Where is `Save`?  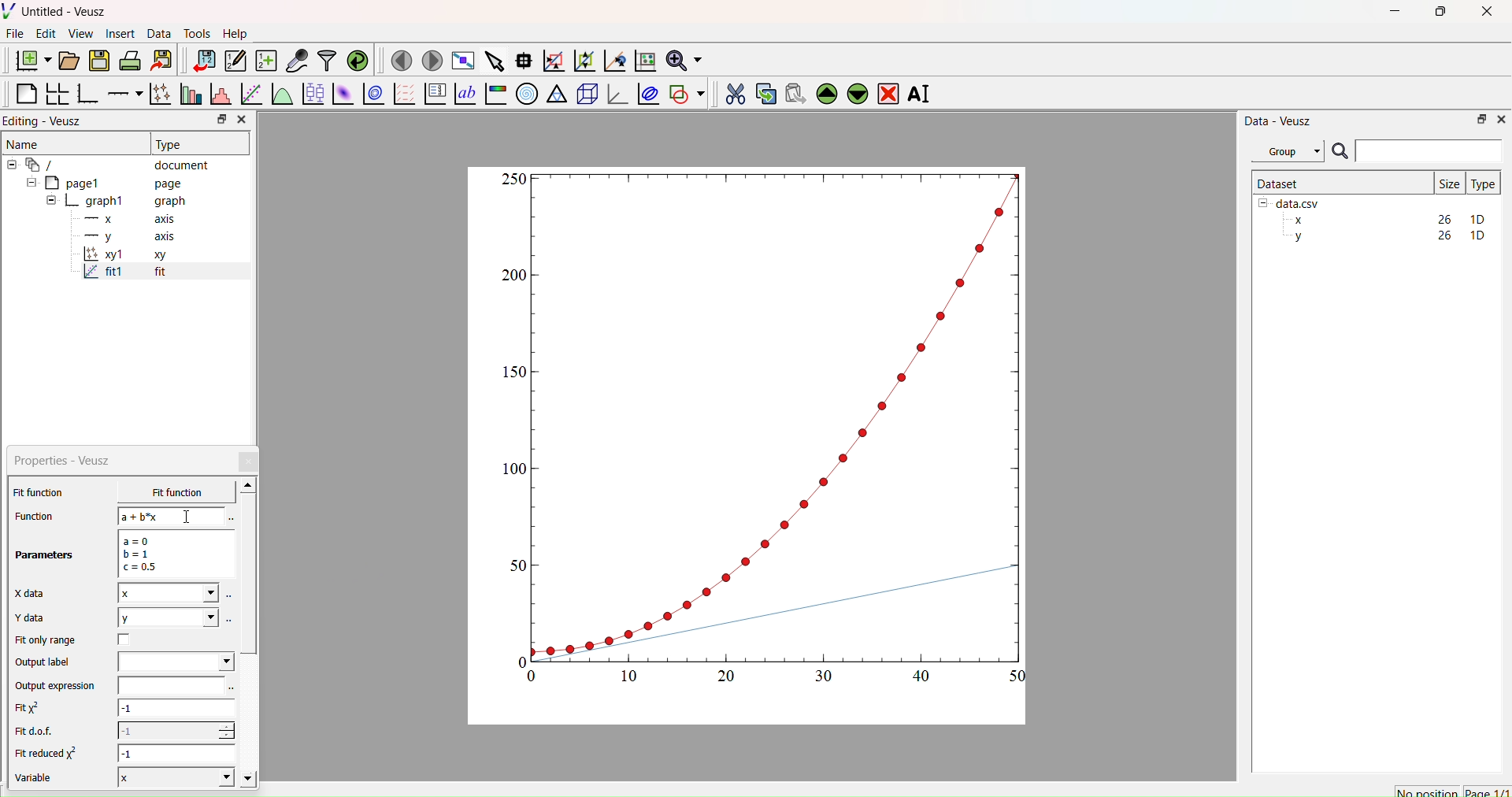
Save is located at coordinates (98, 59).